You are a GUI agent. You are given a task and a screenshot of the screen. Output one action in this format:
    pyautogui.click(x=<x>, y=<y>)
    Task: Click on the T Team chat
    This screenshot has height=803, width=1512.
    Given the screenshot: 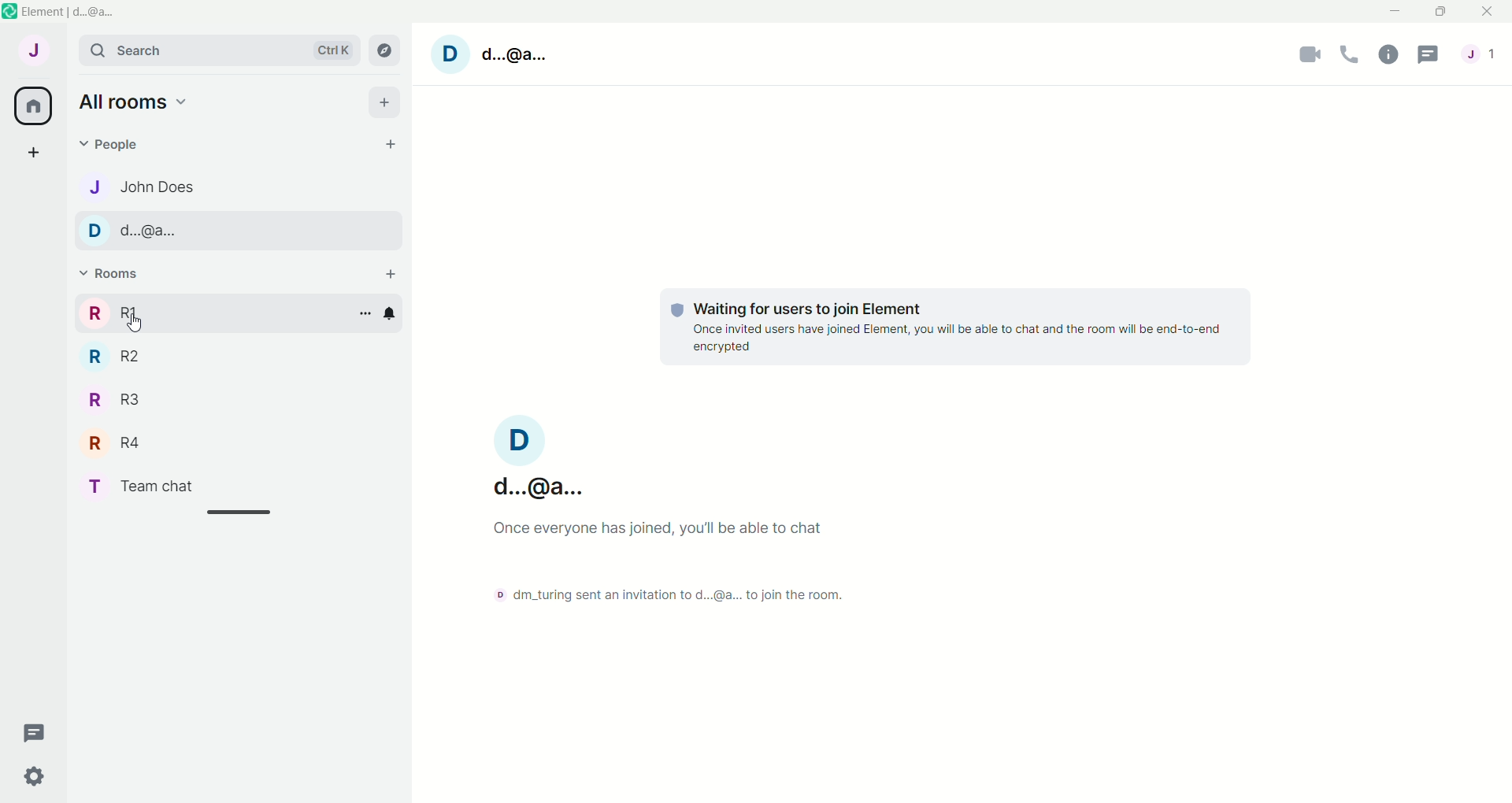 What is the action you would take?
    pyautogui.click(x=157, y=488)
    